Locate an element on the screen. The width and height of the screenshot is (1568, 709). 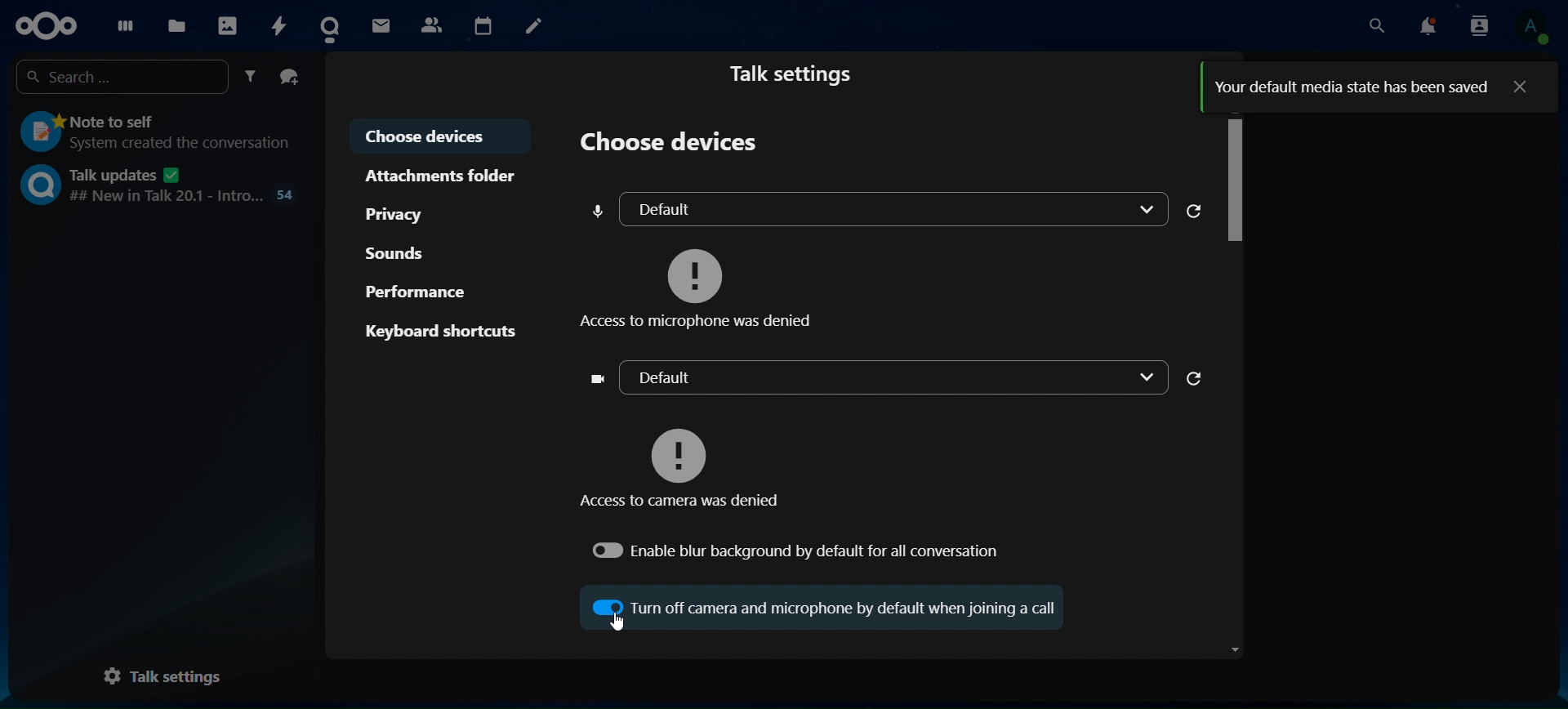
files is located at coordinates (176, 24).